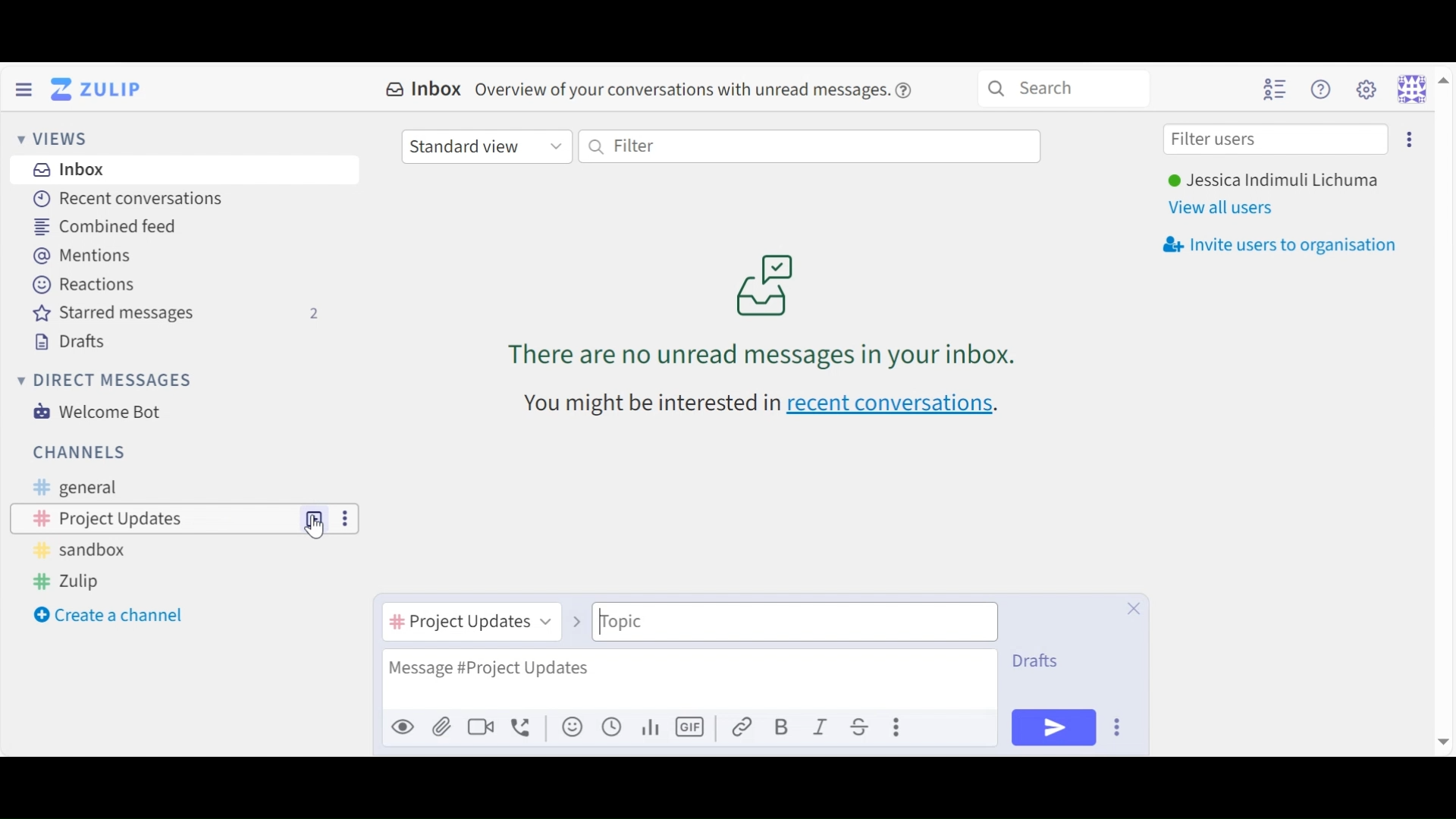 The height and width of the screenshot is (819, 1456). I want to click on Mentions, so click(83, 255).